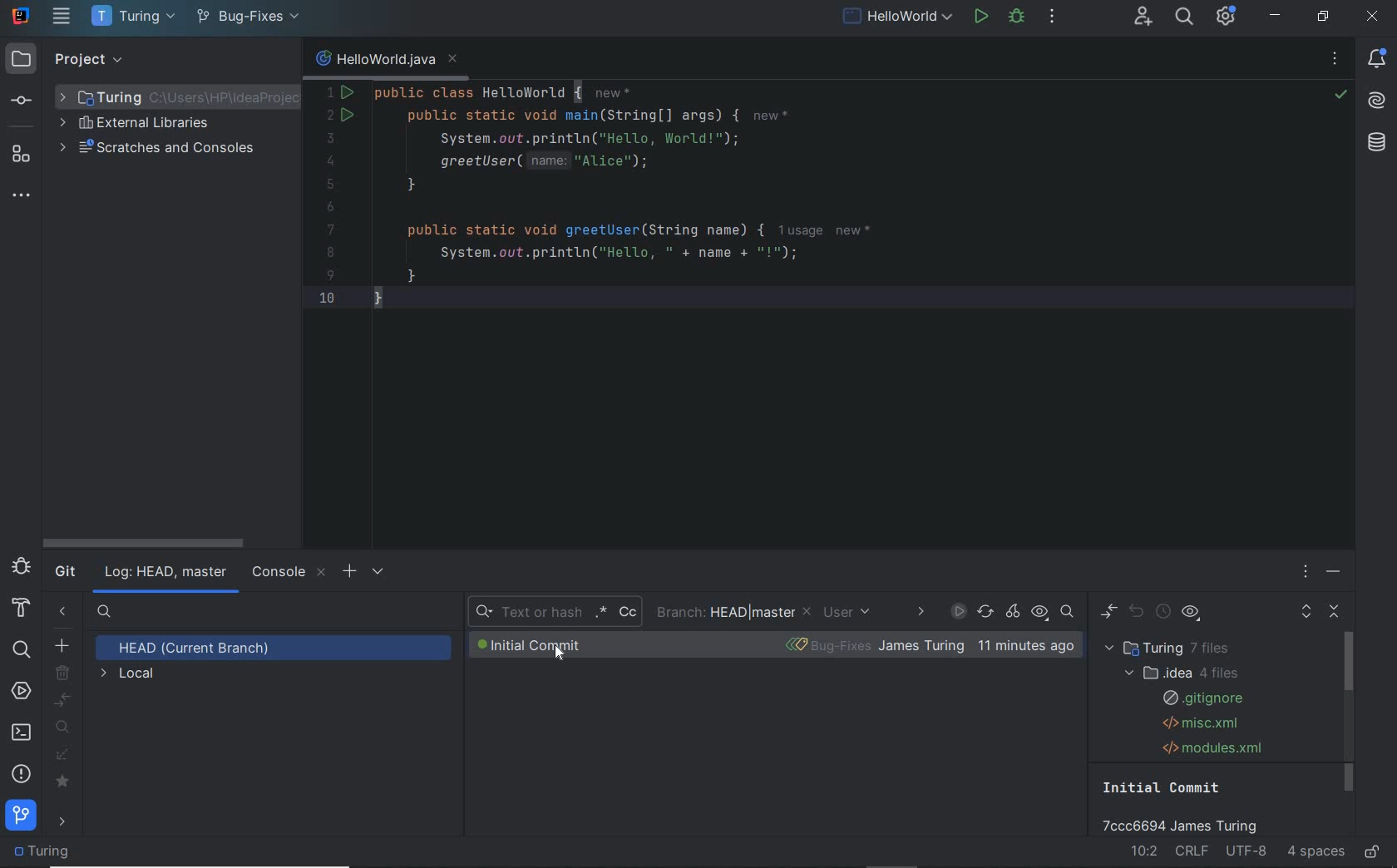 This screenshot has width=1397, height=868. Describe the element at coordinates (1336, 61) in the screenshot. I see `recent files, tab options` at that location.